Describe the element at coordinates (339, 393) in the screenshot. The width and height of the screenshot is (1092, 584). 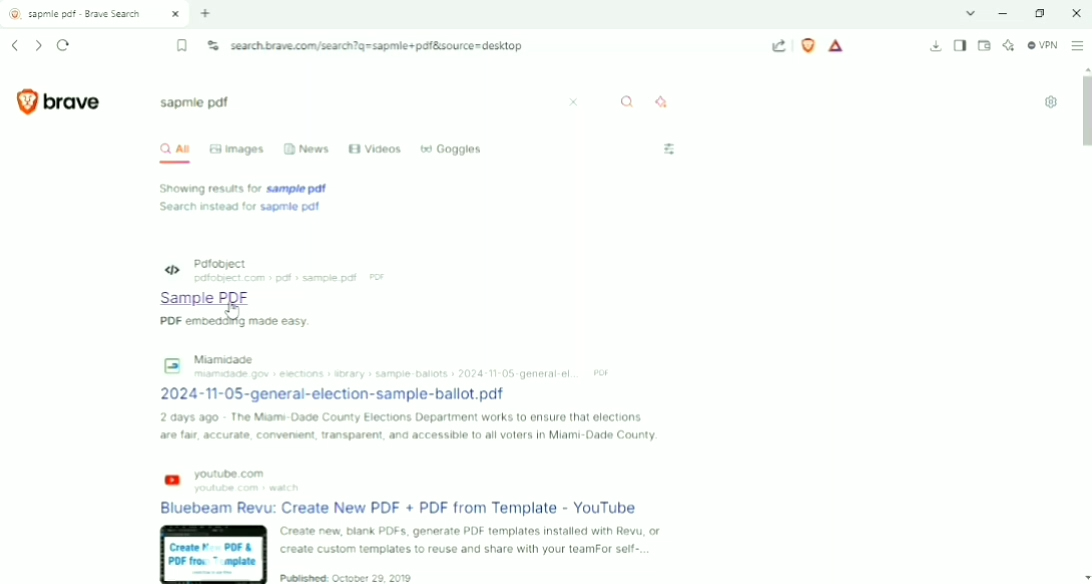
I see `2024-11-05-general-election-sample-ballot.pdf` at that location.